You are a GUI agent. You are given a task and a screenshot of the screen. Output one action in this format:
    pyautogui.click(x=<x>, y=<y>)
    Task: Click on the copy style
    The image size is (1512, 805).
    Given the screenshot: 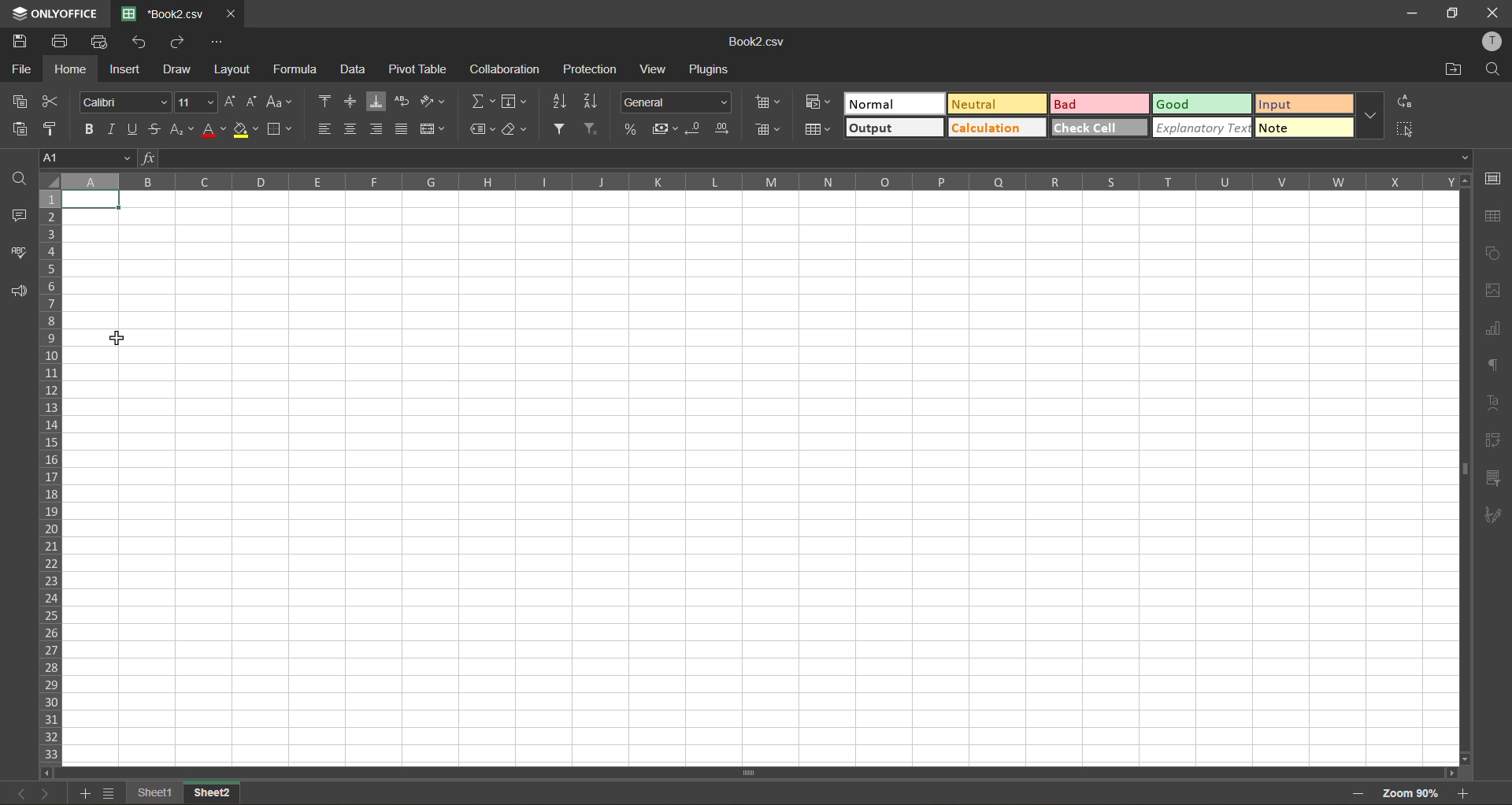 What is the action you would take?
    pyautogui.click(x=55, y=128)
    